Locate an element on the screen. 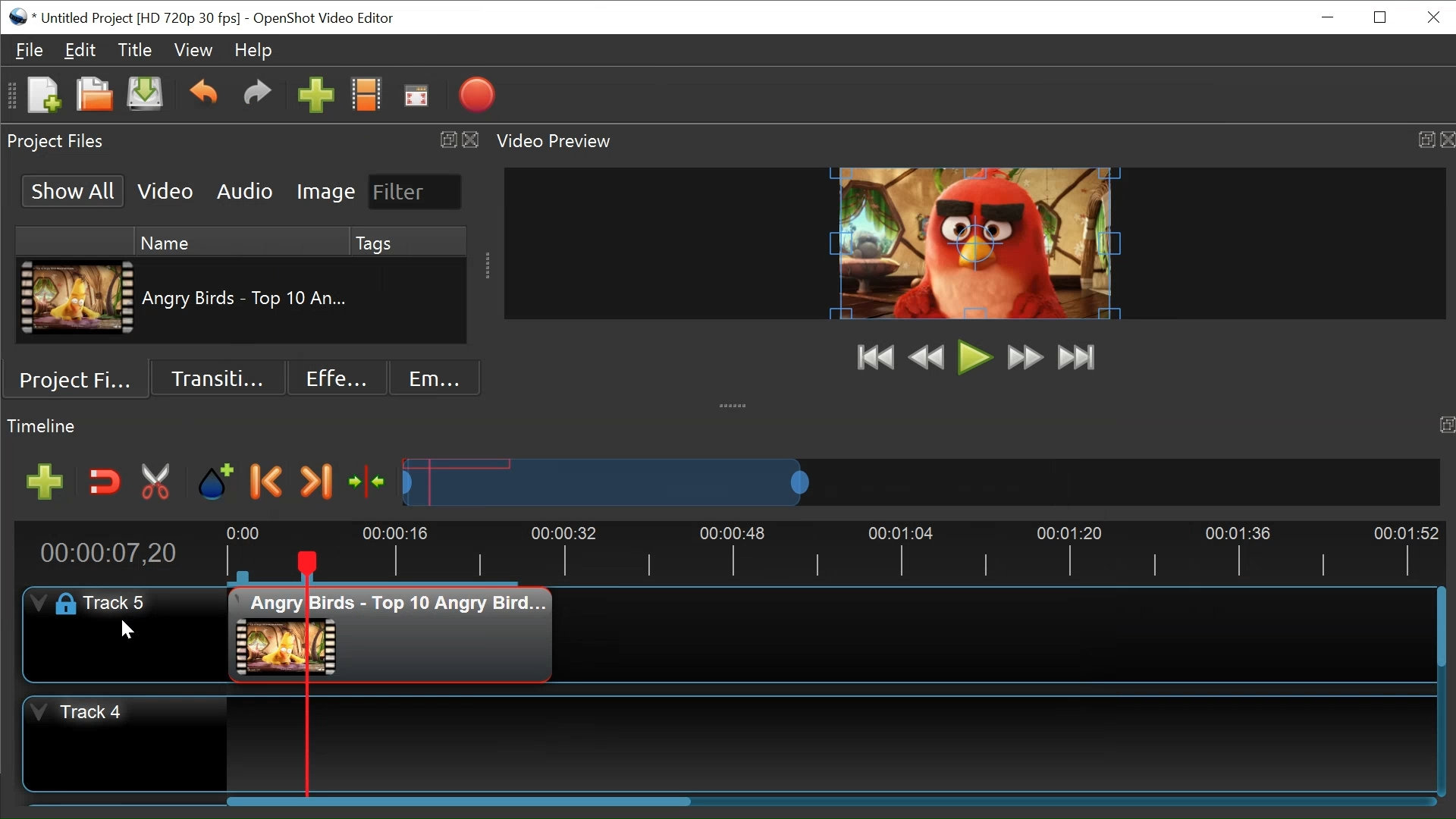 This screenshot has height=819, width=1456. Emoji is located at coordinates (435, 377).